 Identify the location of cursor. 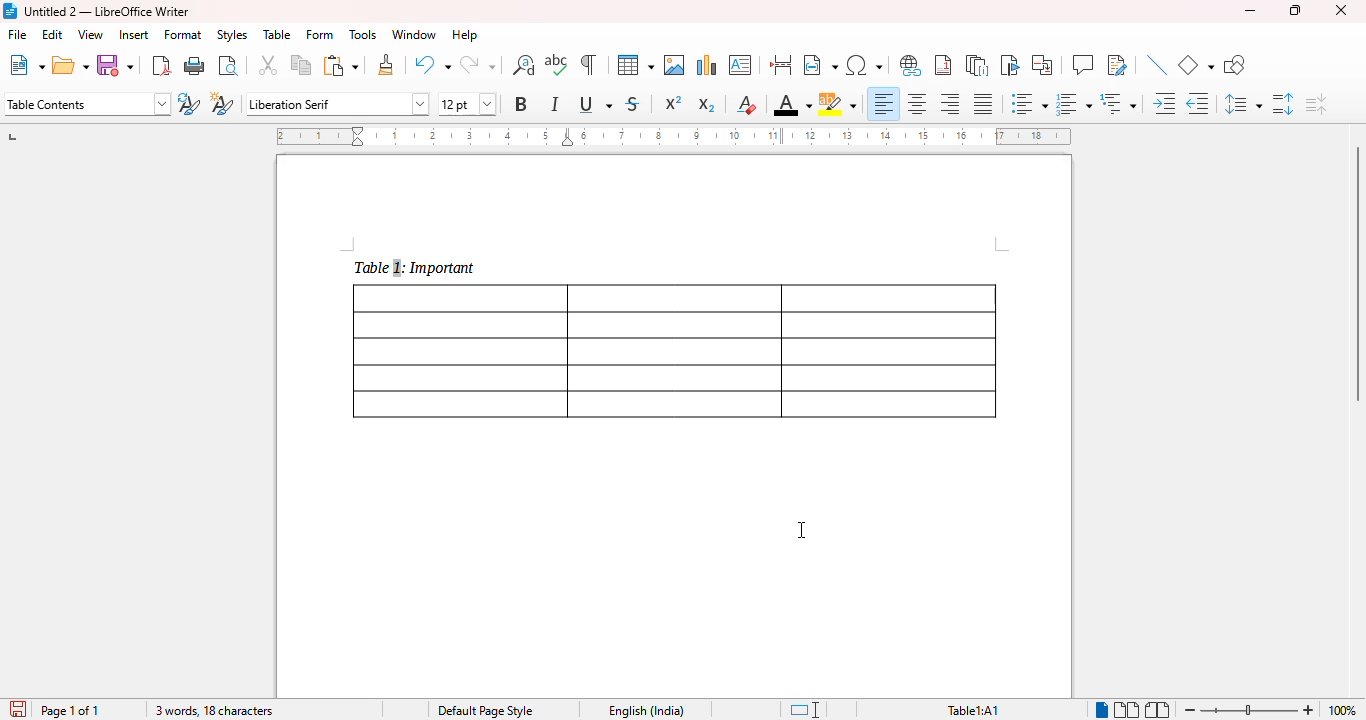
(803, 530).